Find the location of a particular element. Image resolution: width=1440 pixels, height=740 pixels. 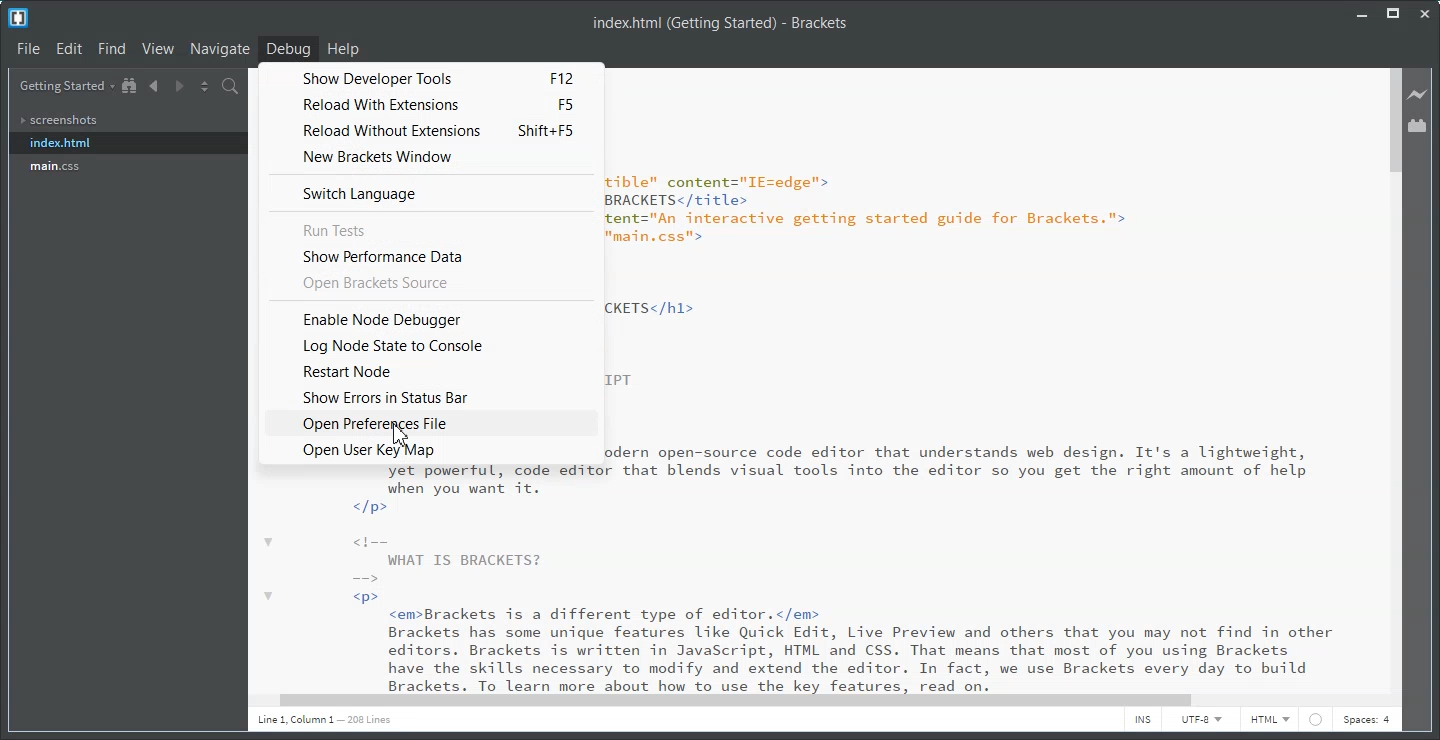

Reload with Extensions is located at coordinates (429, 102).